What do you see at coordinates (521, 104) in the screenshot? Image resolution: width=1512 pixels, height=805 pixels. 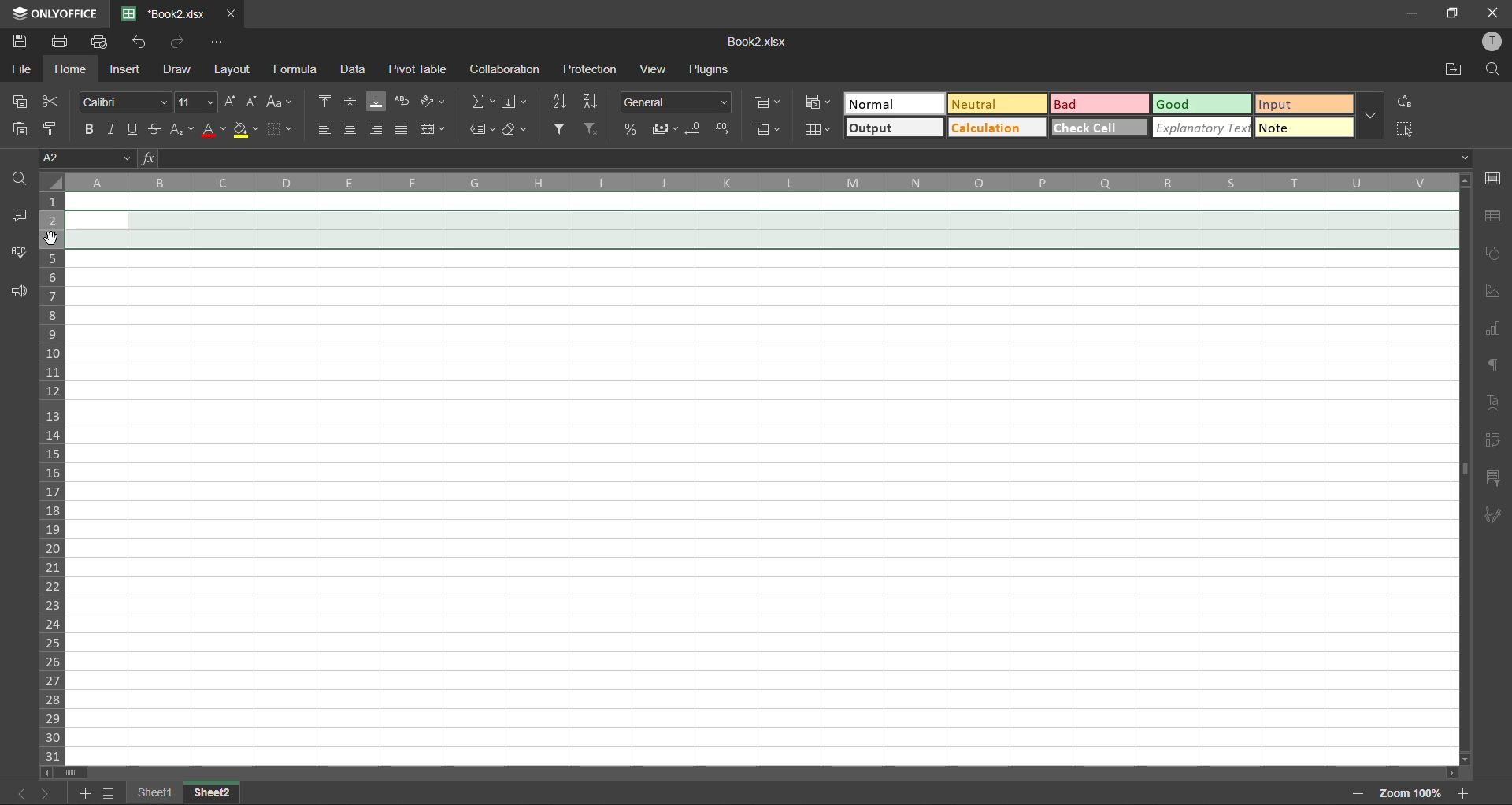 I see `fields` at bounding box center [521, 104].